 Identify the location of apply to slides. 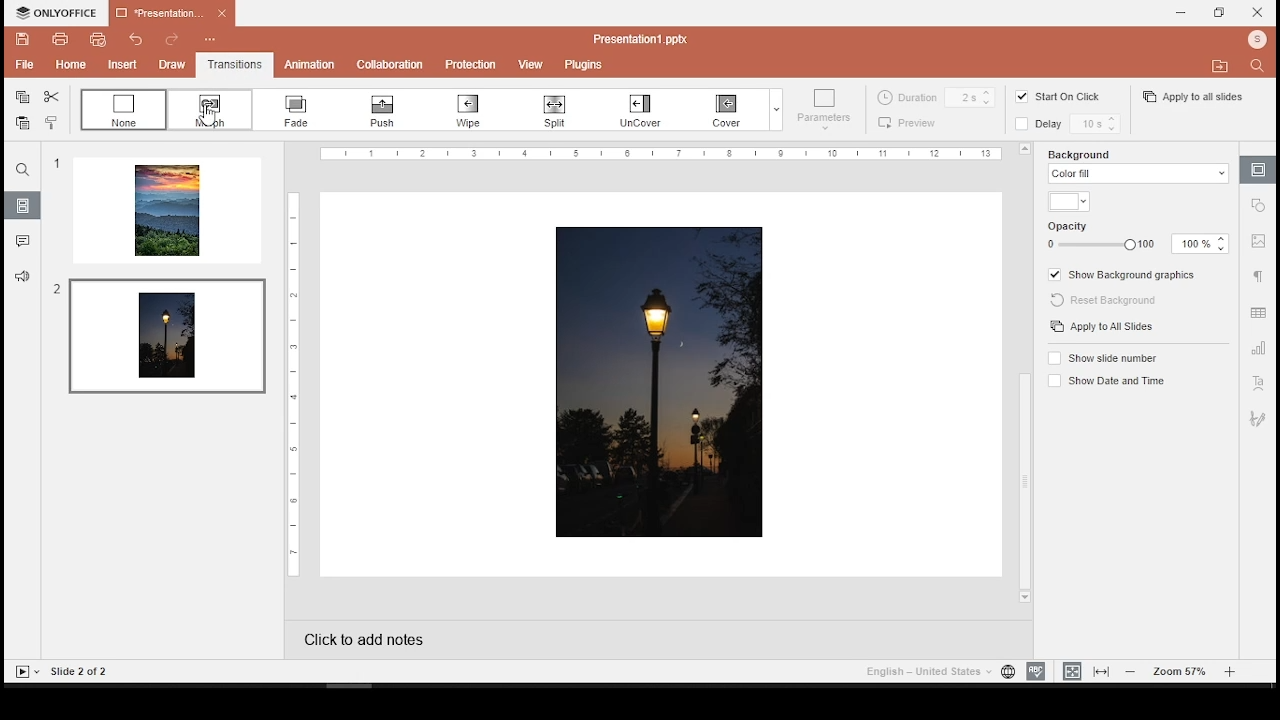
(1104, 327).